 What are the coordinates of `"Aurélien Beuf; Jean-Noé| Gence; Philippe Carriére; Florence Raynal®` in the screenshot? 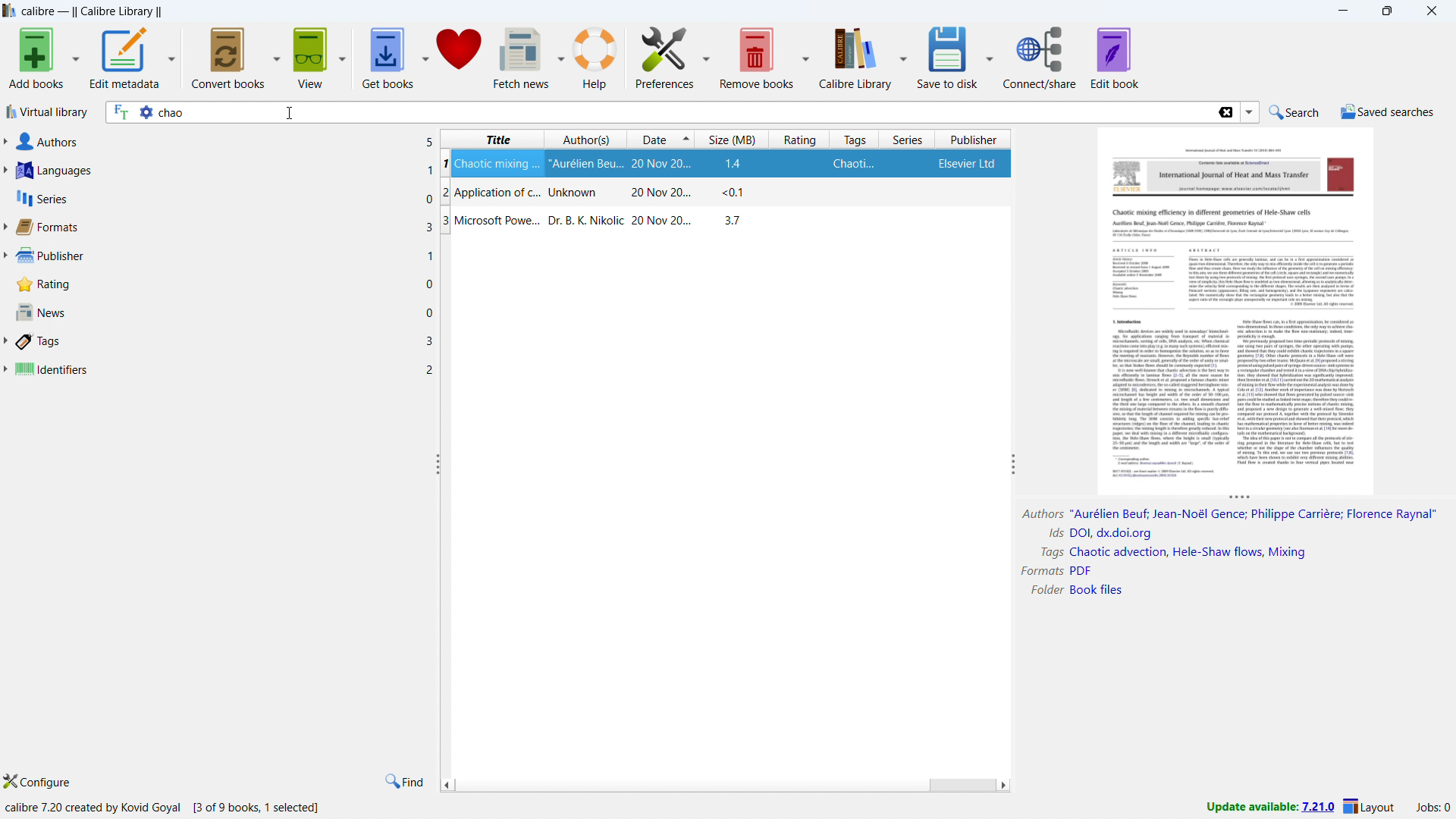 It's located at (1257, 515).